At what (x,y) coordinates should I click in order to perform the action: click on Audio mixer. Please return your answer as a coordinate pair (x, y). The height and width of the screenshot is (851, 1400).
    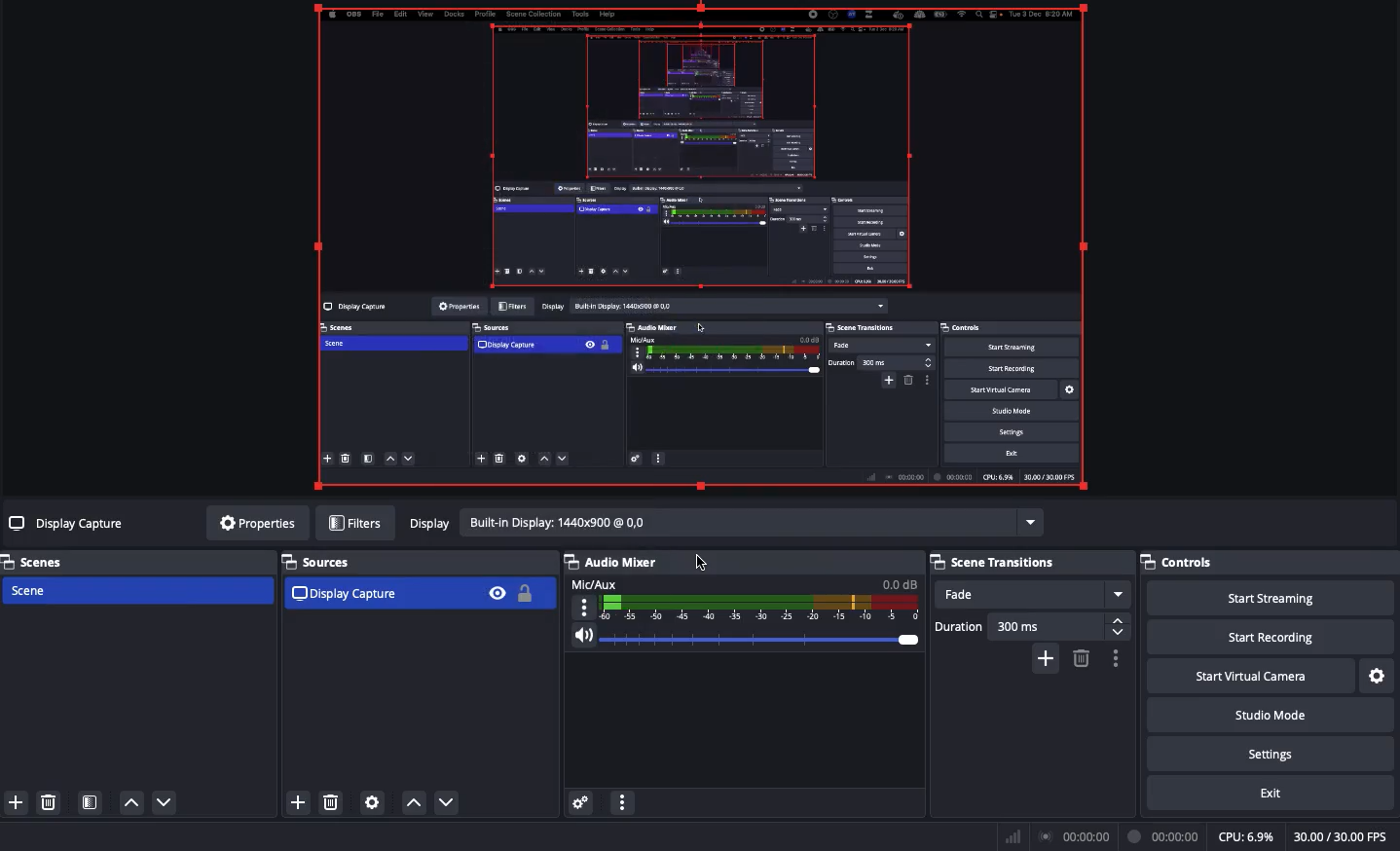
    Looking at the image, I should click on (617, 562).